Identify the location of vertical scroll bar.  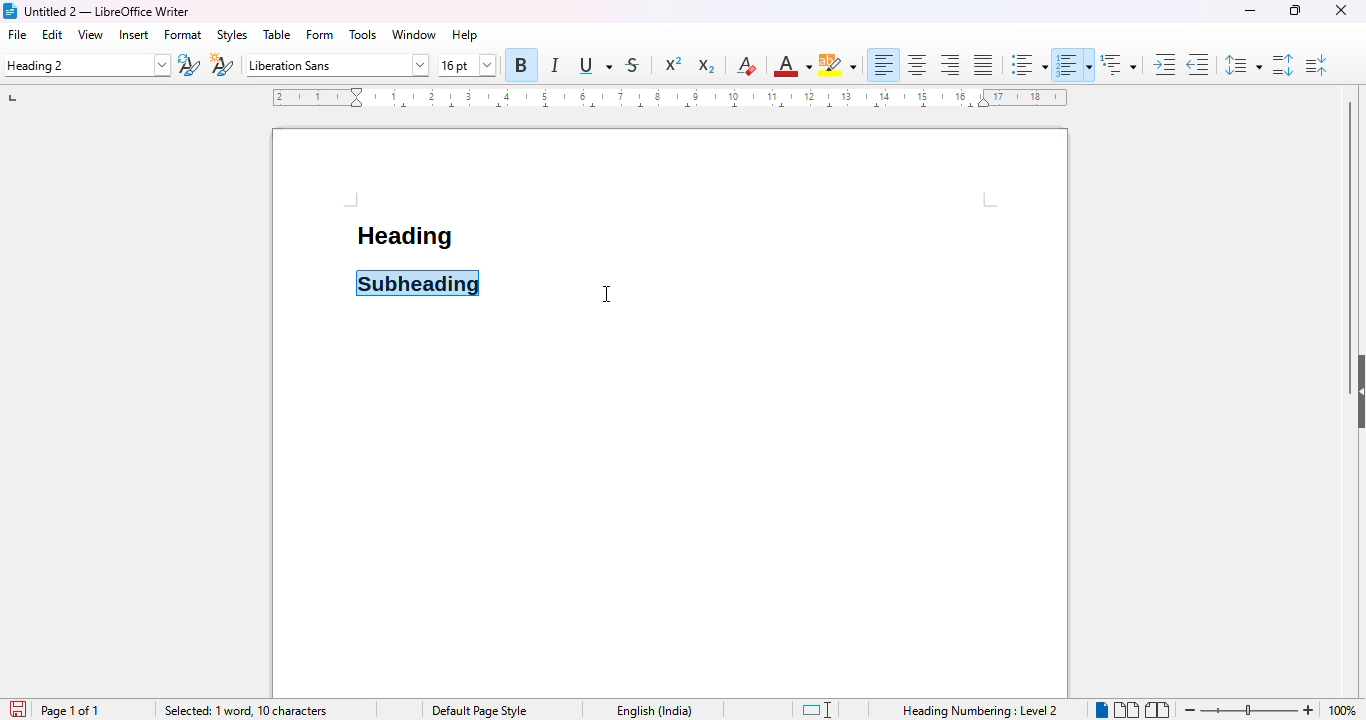
(1350, 223).